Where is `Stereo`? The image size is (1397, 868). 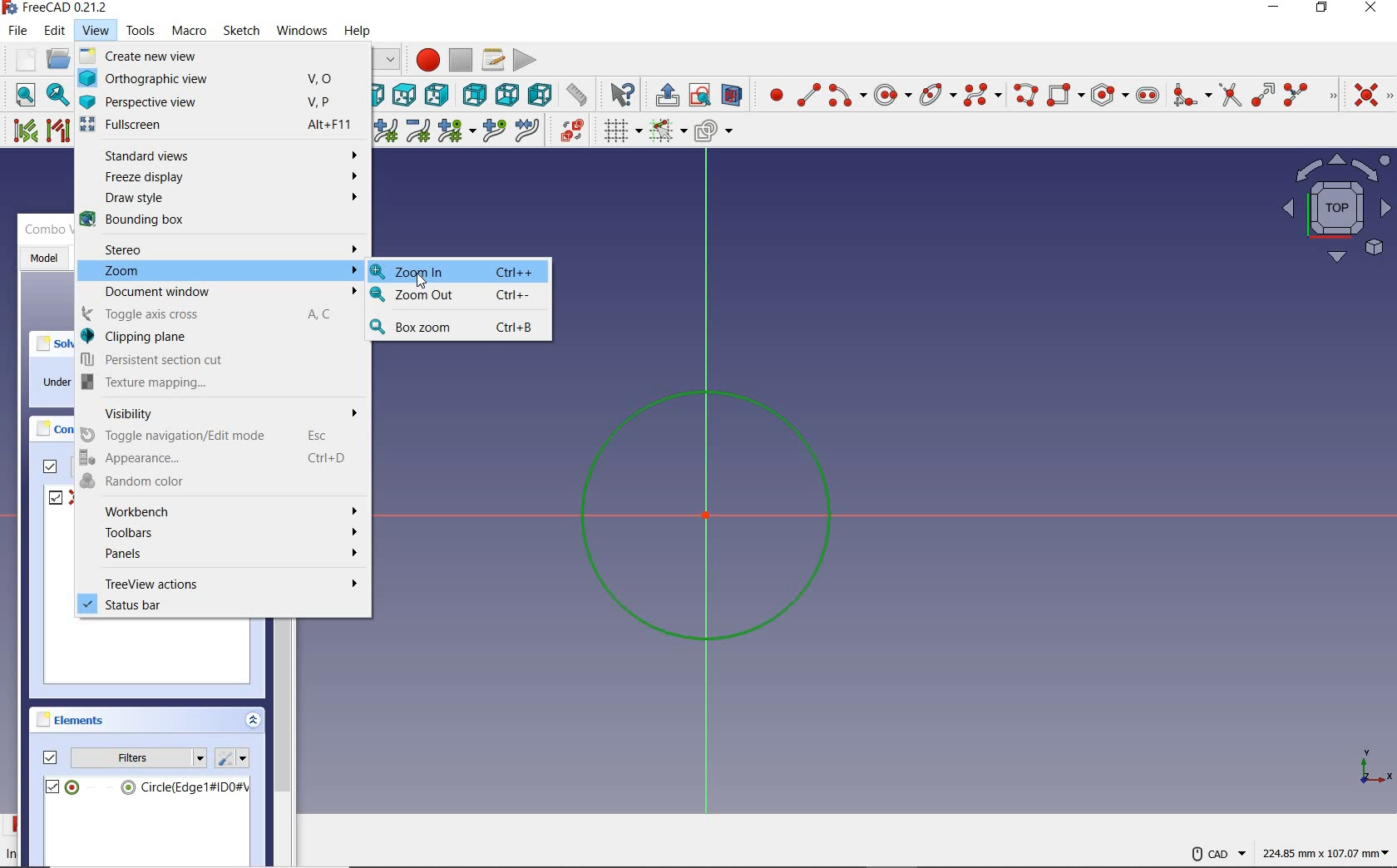
Stereo is located at coordinates (230, 248).